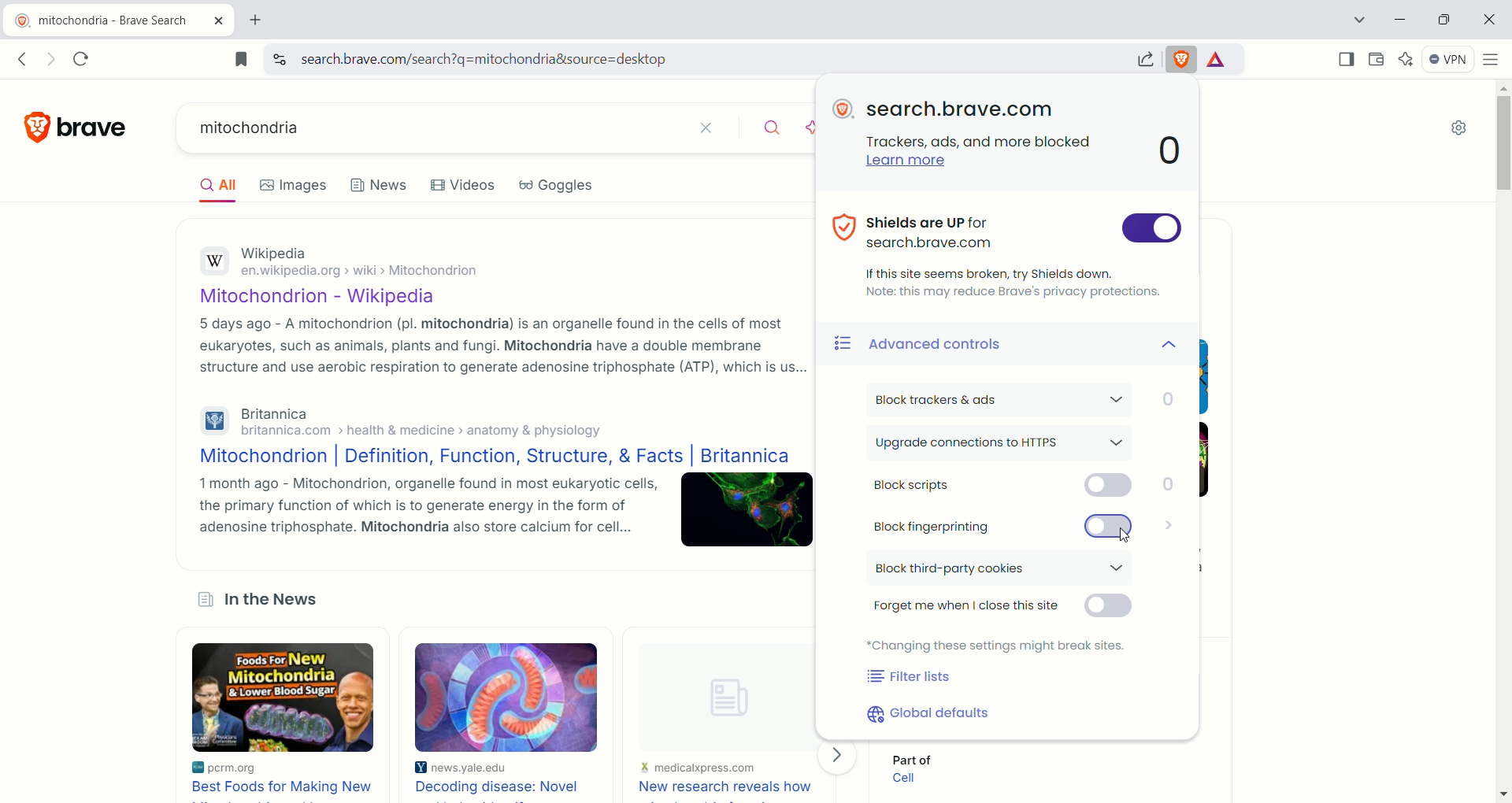 This screenshot has width=1512, height=803. Describe the element at coordinates (724, 787) in the screenshot. I see `new research reveals how` at that location.